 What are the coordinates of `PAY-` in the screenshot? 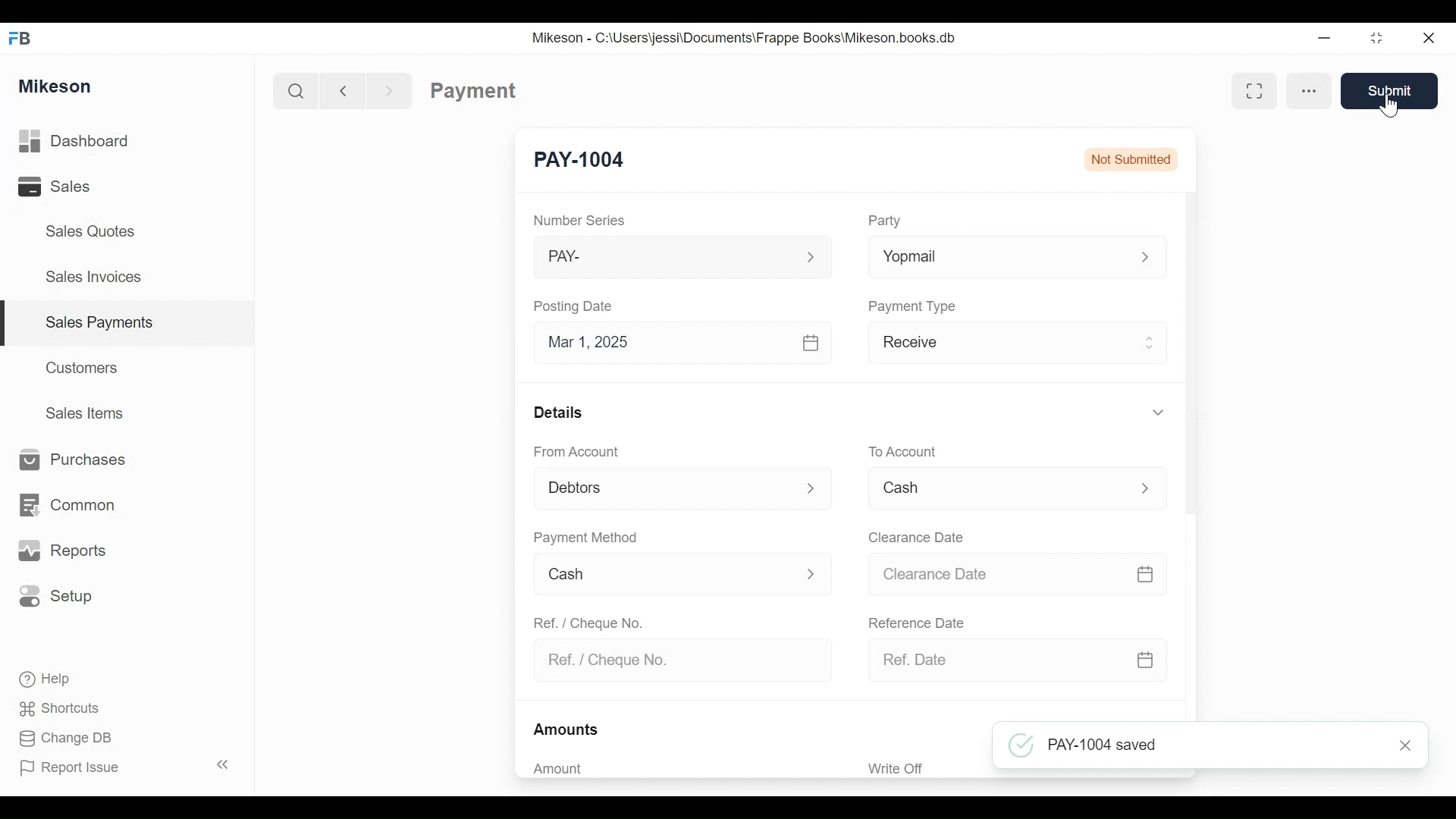 It's located at (682, 256).